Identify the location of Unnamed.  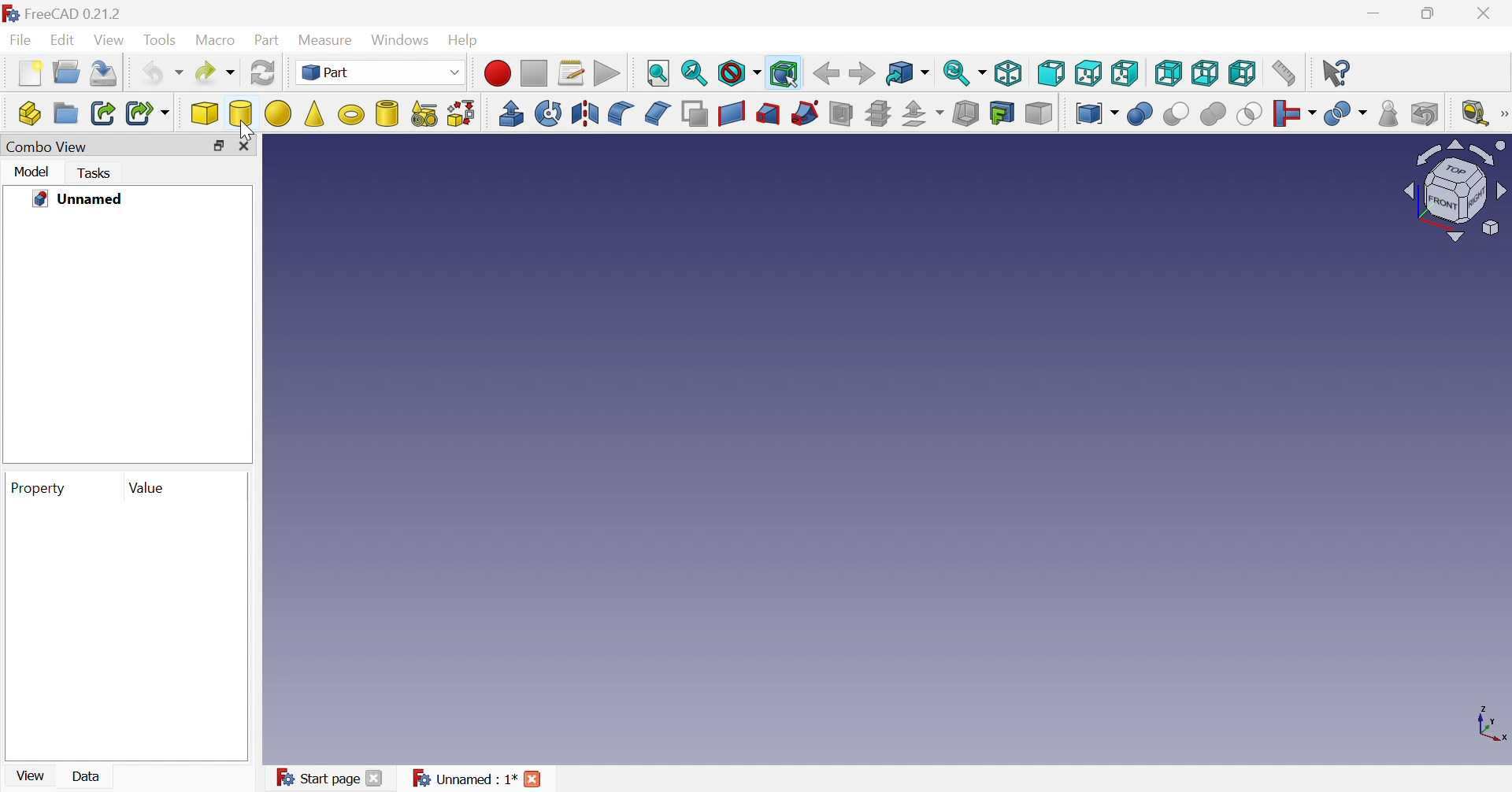
(80, 200).